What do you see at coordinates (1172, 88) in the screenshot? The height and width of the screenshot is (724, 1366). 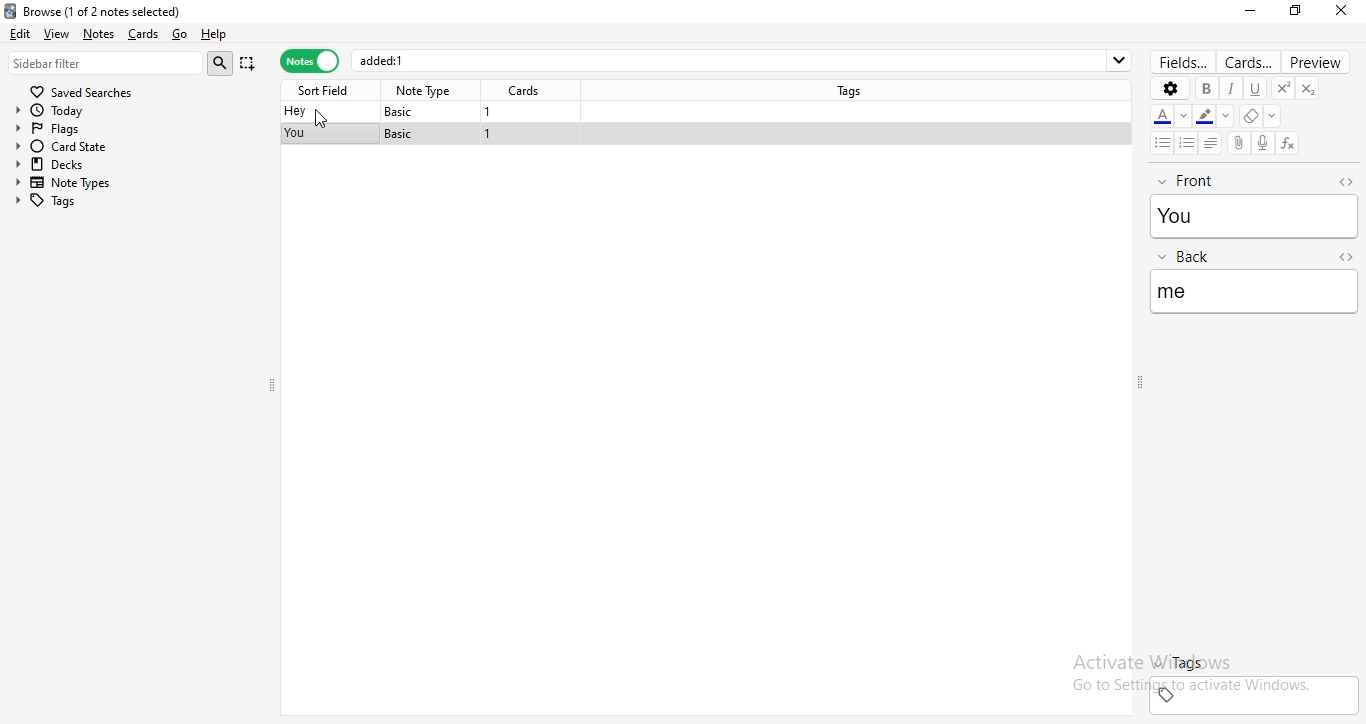 I see `settings` at bounding box center [1172, 88].